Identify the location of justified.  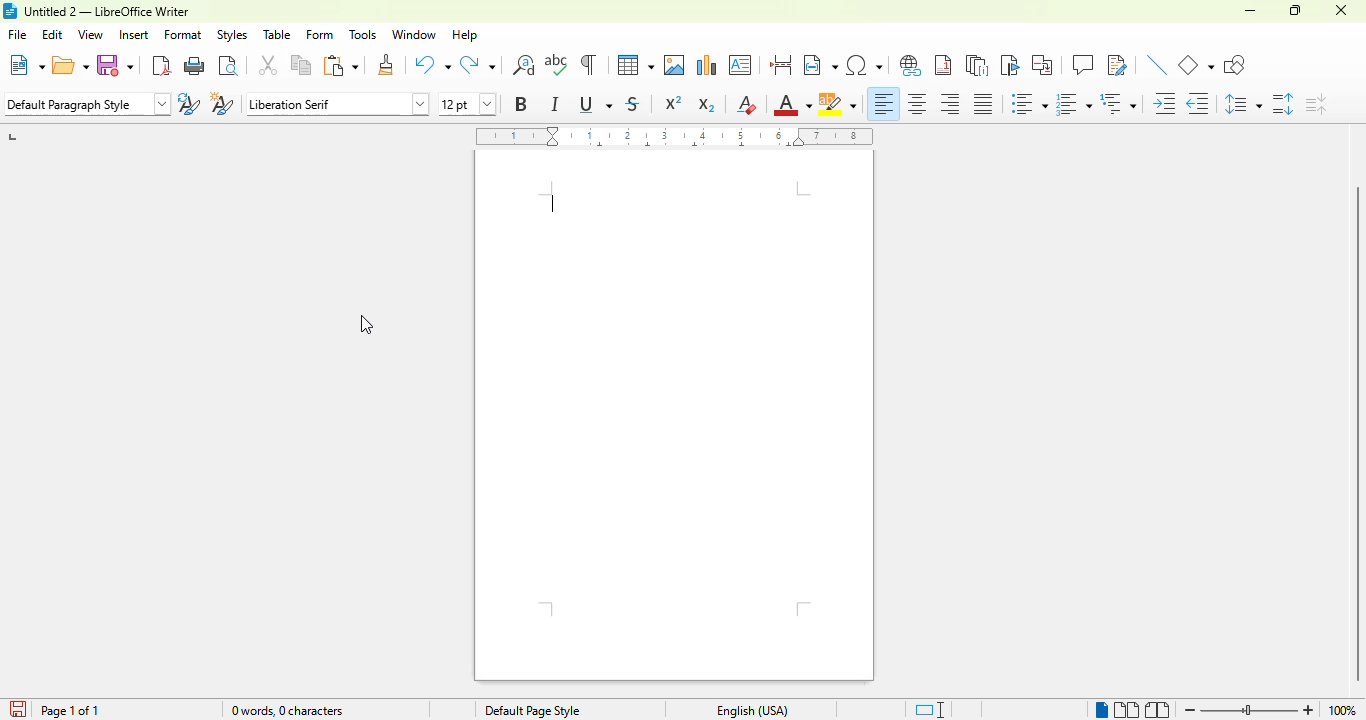
(983, 103).